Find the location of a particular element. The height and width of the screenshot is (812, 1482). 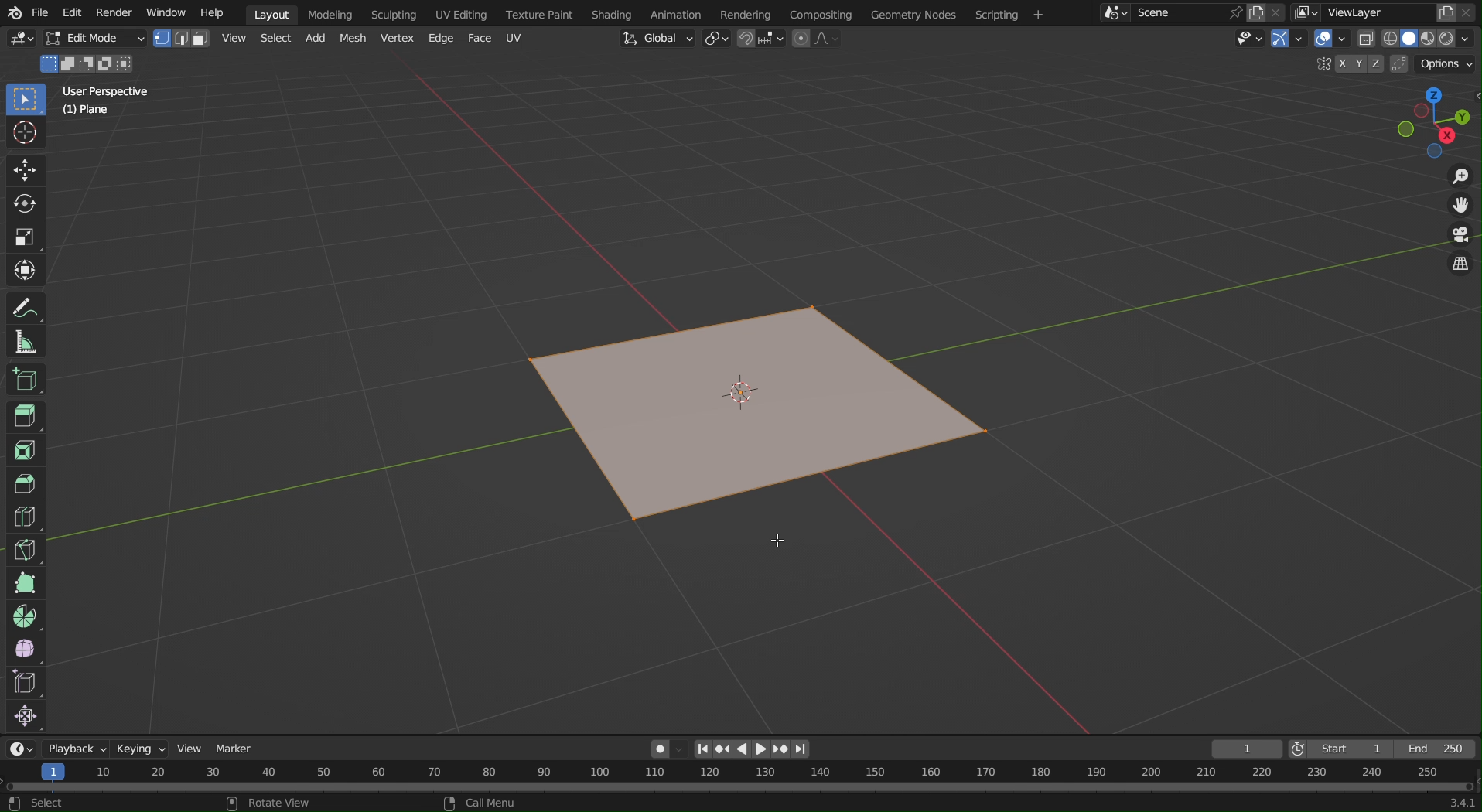

Editor Type is located at coordinates (19, 41).